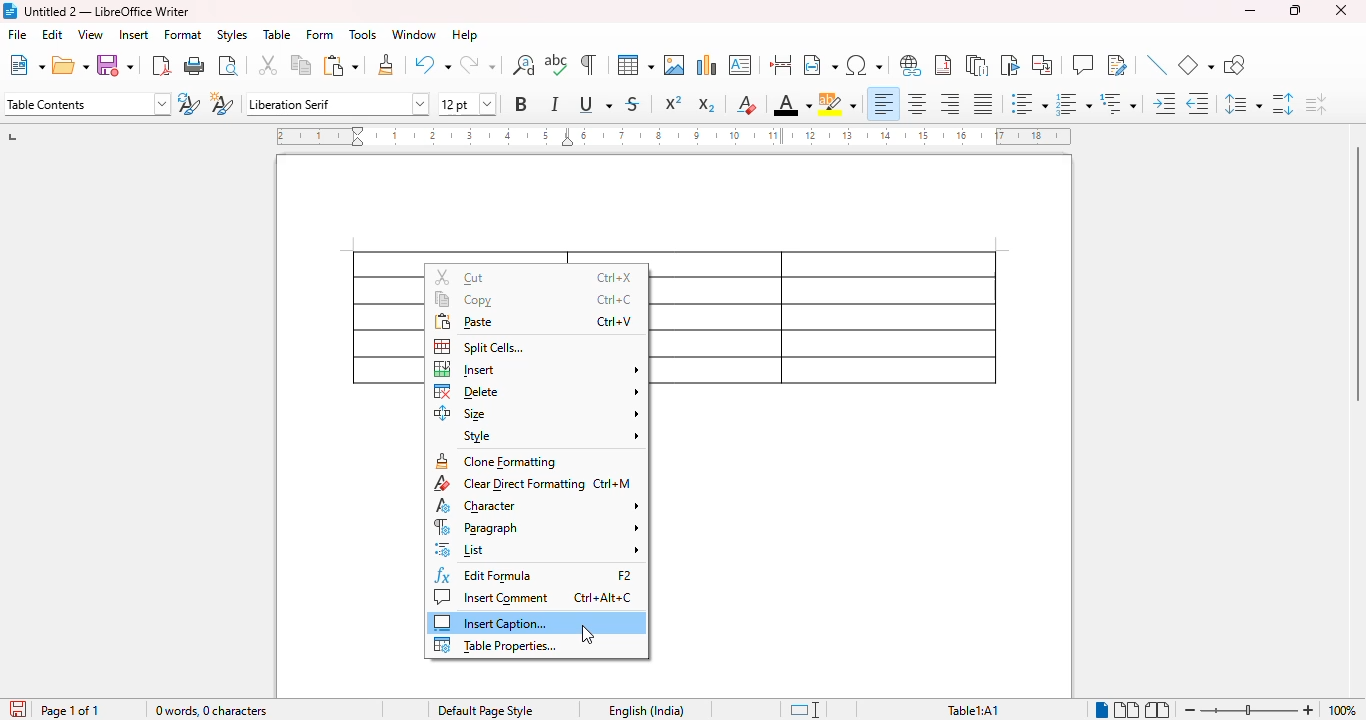 Image resolution: width=1366 pixels, height=720 pixels. Describe the element at coordinates (535, 575) in the screenshot. I see `edit formula` at that location.